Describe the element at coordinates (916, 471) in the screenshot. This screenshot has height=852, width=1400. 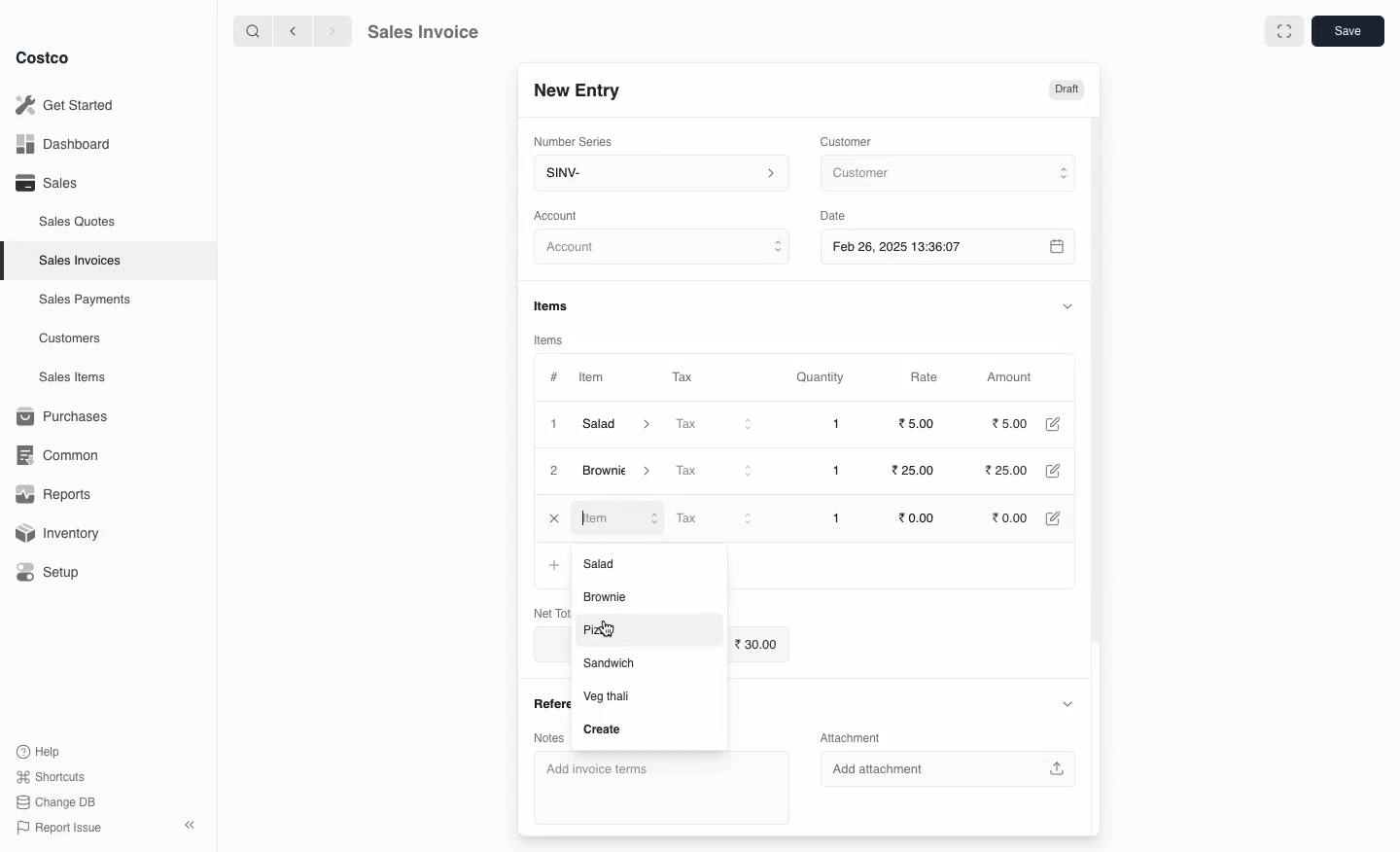
I see `25.00` at that location.